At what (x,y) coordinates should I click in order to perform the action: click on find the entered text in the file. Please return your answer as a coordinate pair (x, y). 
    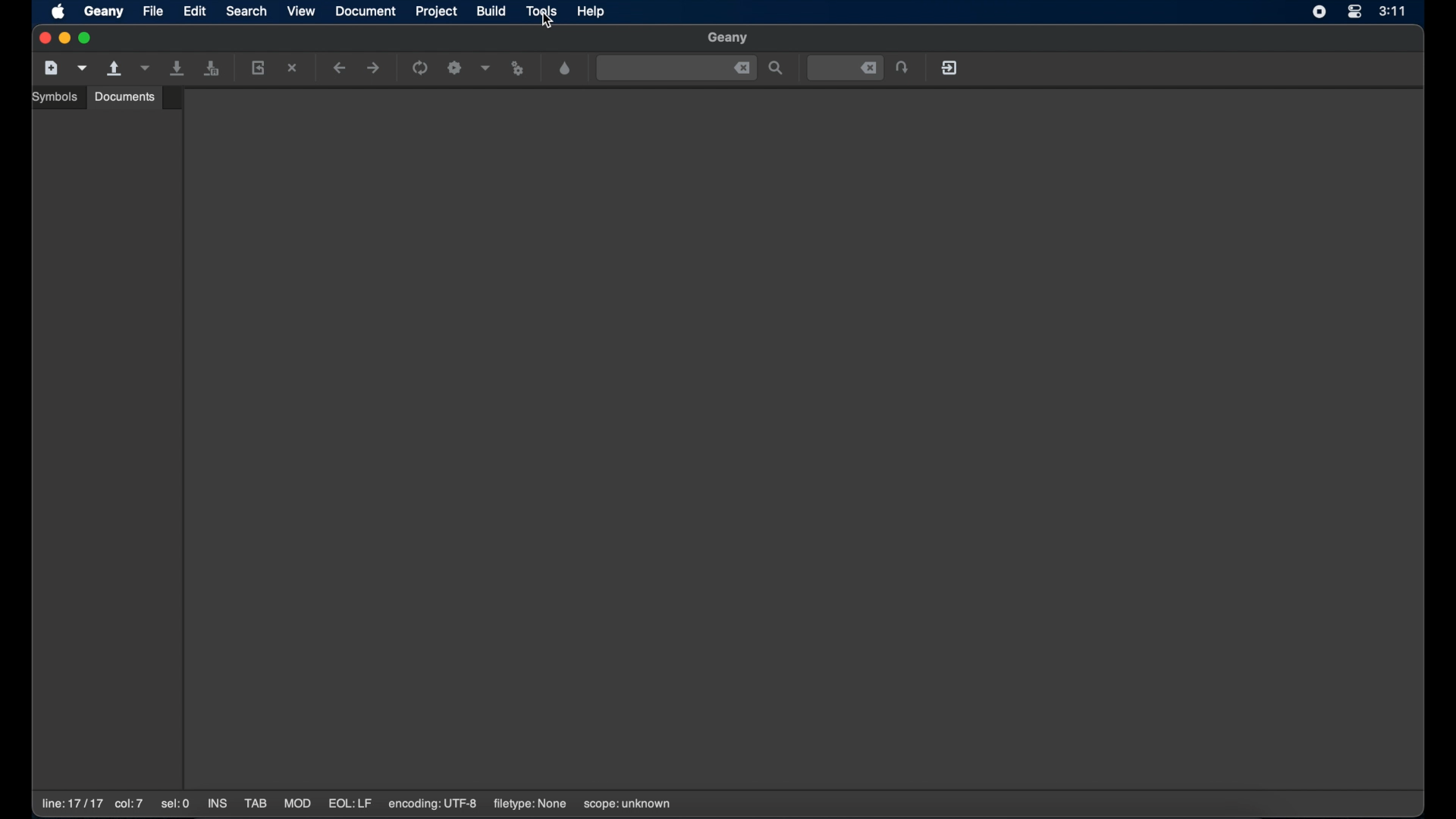
    Looking at the image, I should click on (777, 69).